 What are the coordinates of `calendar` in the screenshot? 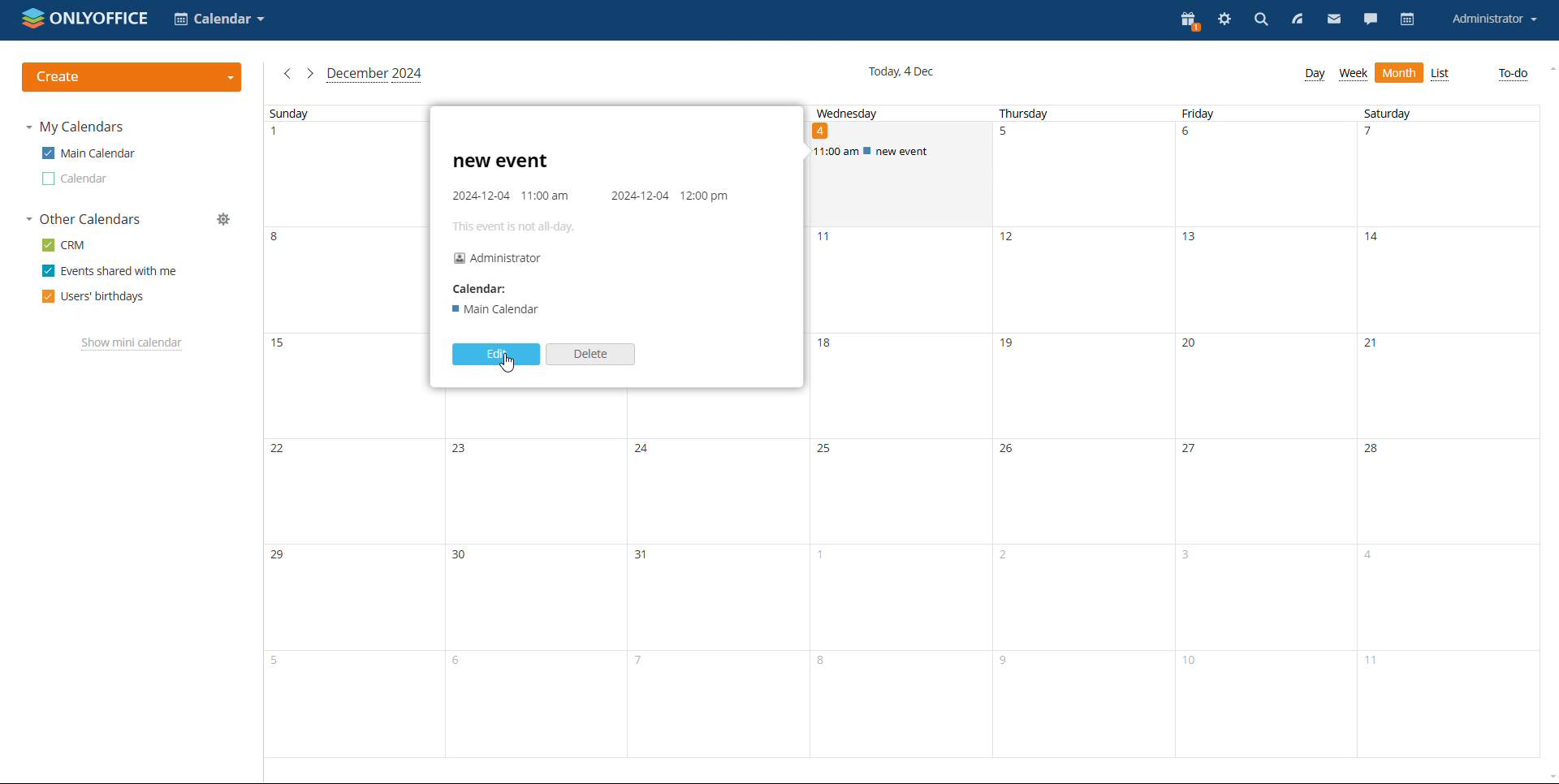 It's located at (74, 179).